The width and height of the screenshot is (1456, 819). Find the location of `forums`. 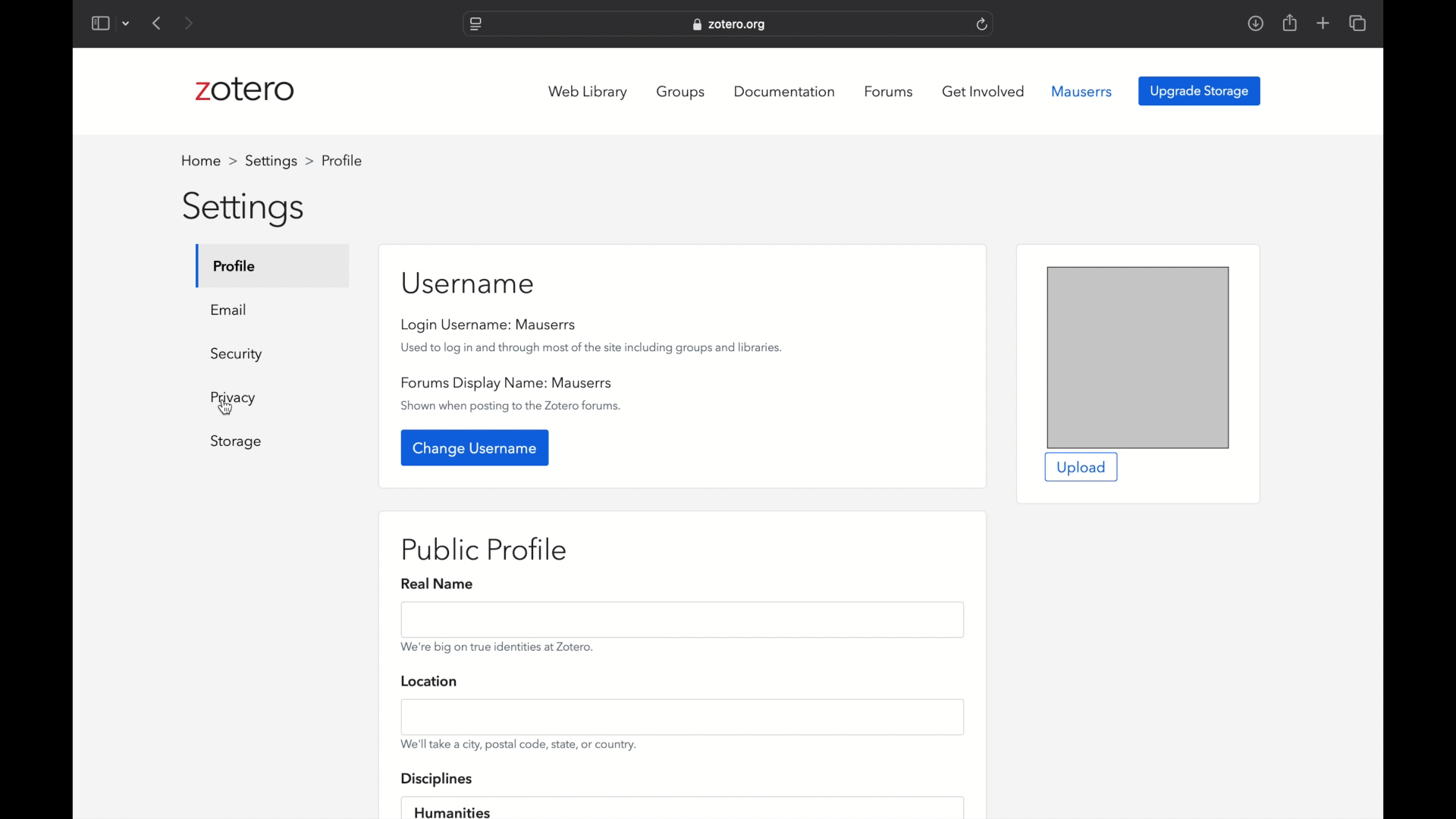

forums is located at coordinates (891, 92).